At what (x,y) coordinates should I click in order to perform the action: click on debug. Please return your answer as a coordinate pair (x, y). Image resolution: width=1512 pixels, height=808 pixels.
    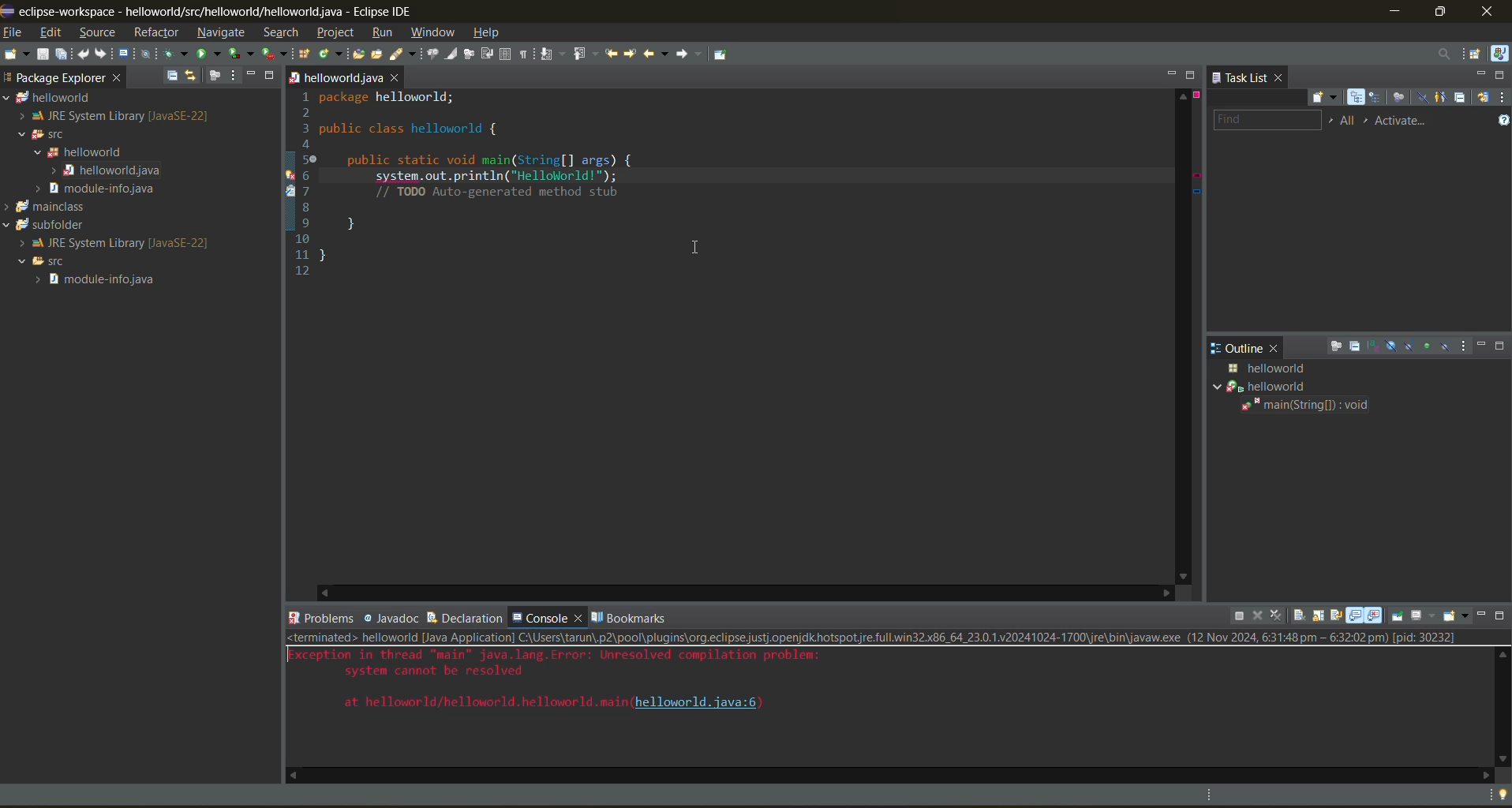
    Looking at the image, I should click on (175, 54).